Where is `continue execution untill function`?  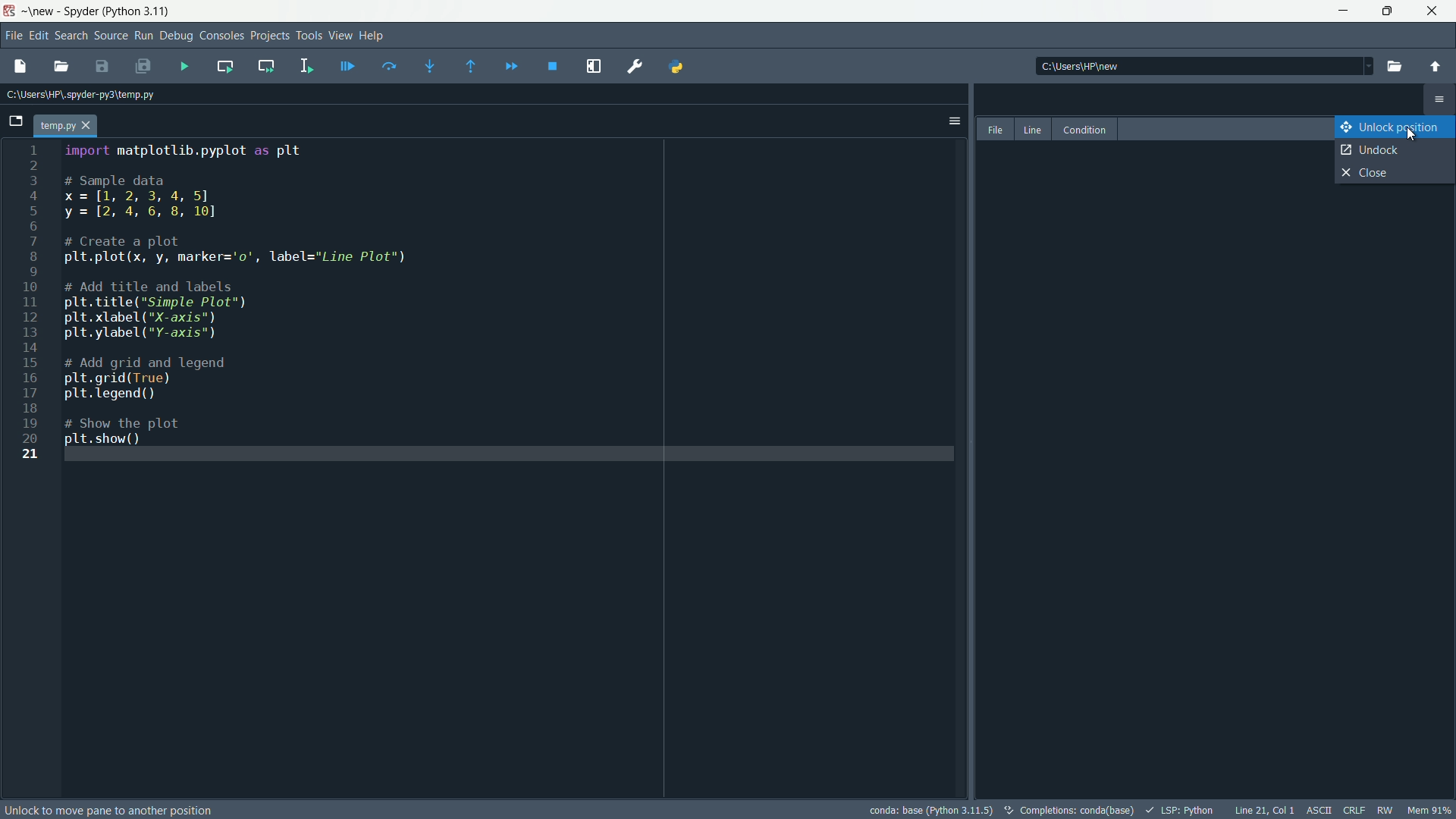 continue execution untill function is located at coordinates (468, 66).